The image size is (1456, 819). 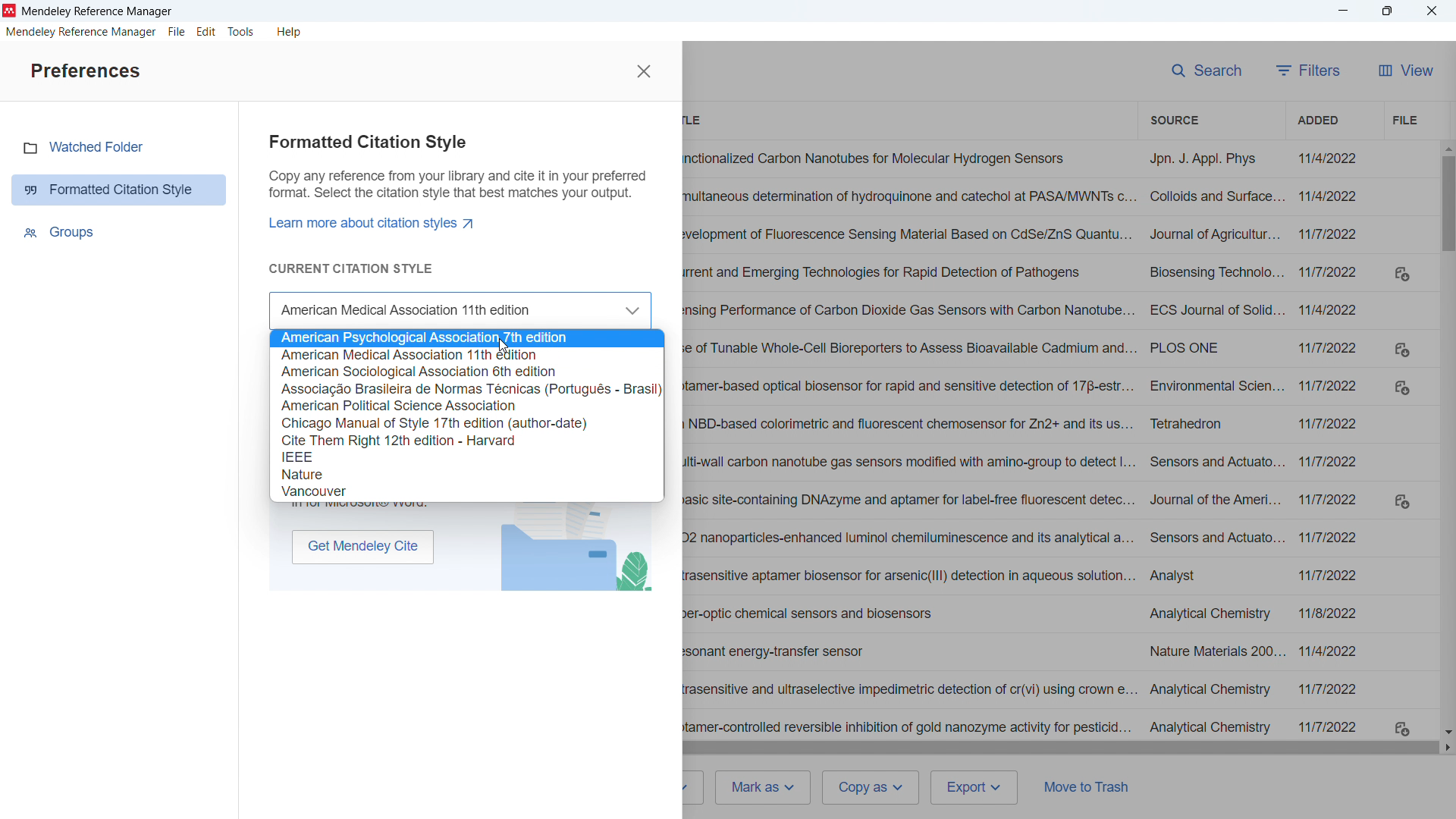 What do you see at coordinates (1404, 121) in the screenshot?
I see `File` at bounding box center [1404, 121].